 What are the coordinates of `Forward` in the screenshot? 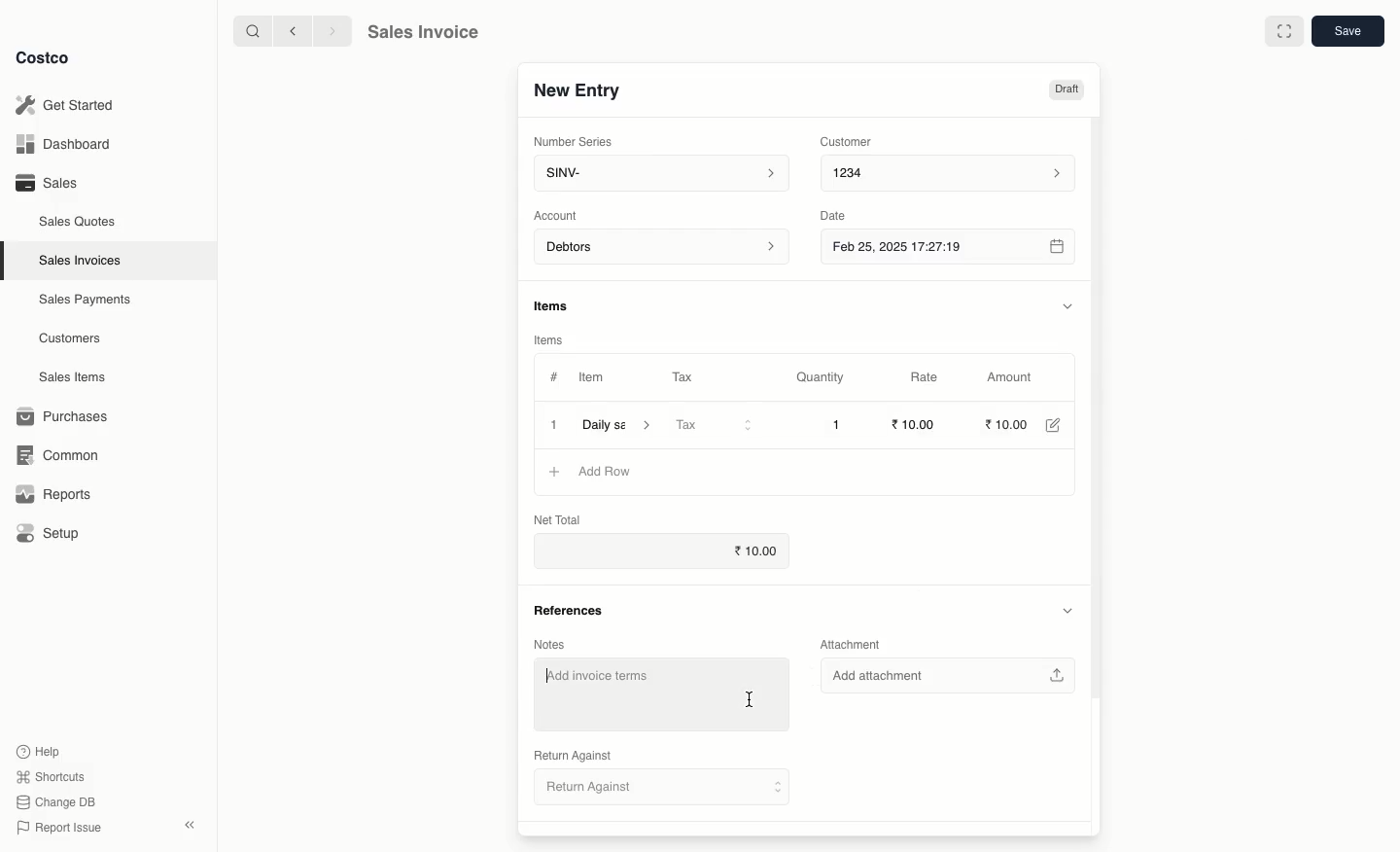 It's located at (332, 32).